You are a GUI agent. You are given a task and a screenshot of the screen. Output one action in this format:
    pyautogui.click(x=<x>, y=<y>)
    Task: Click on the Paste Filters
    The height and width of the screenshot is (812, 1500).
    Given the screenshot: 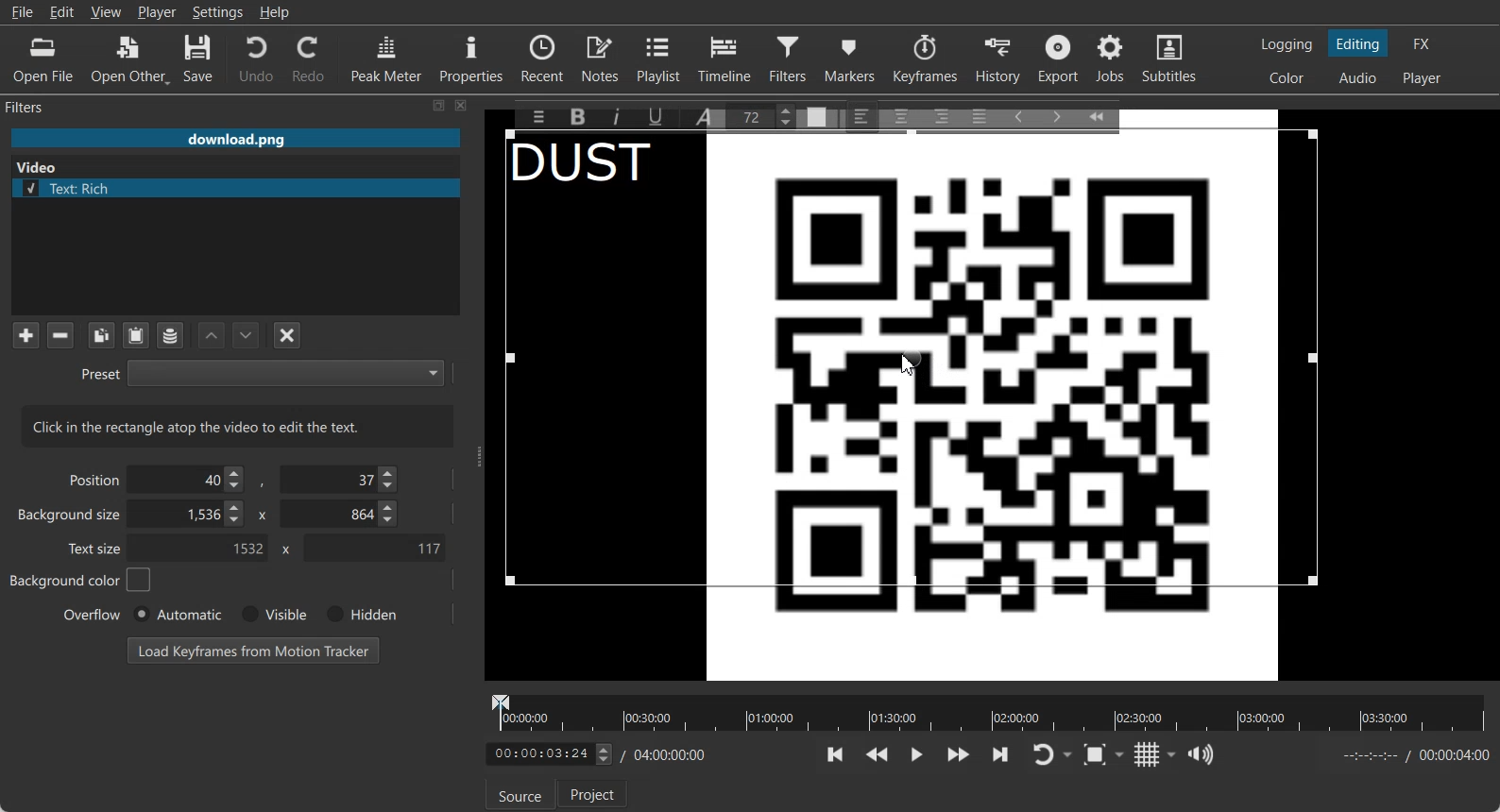 What is the action you would take?
    pyautogui.click(x=136, y=336)
    